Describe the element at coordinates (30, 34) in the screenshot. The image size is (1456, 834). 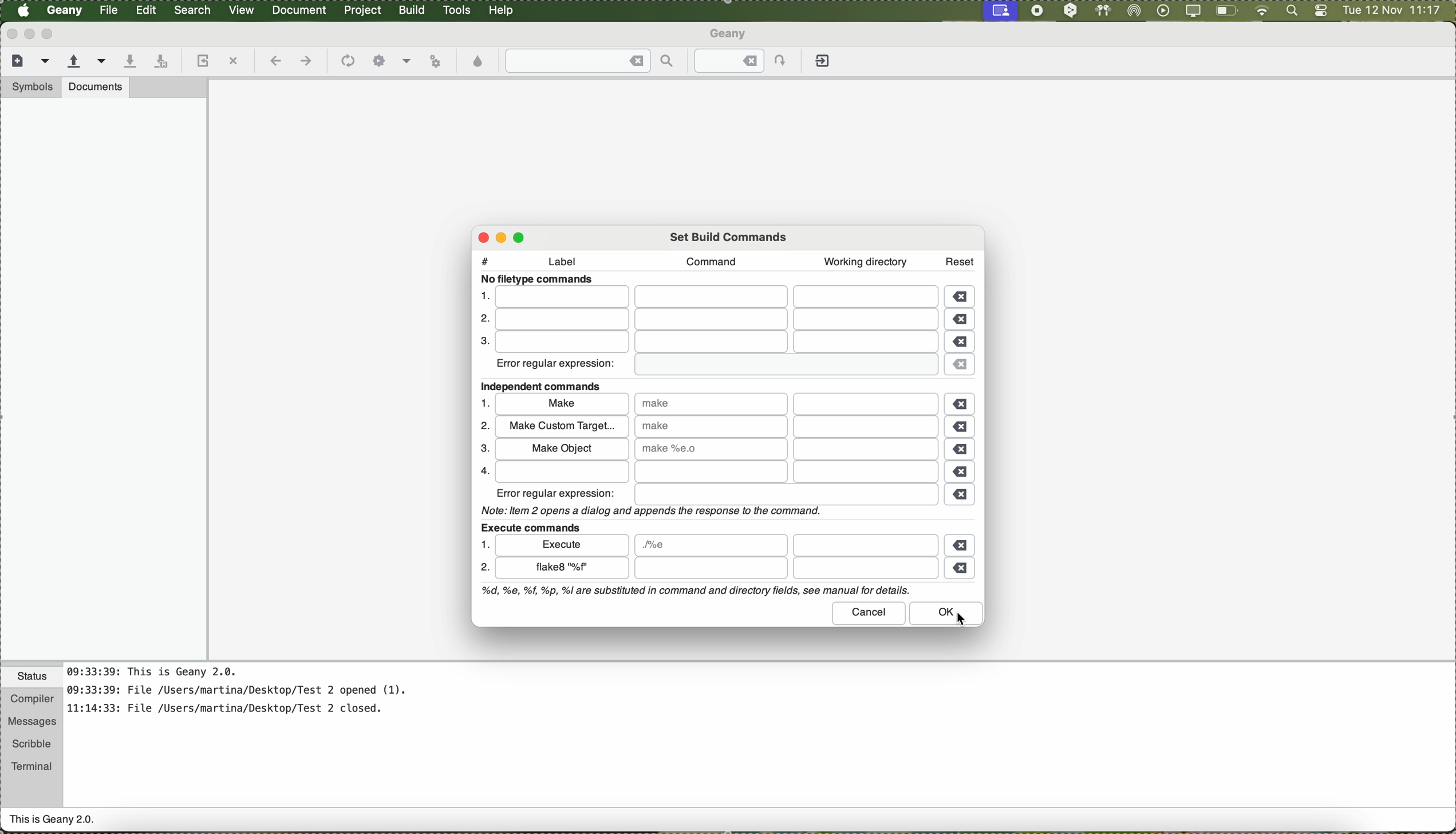
I see `minimize` at that location.